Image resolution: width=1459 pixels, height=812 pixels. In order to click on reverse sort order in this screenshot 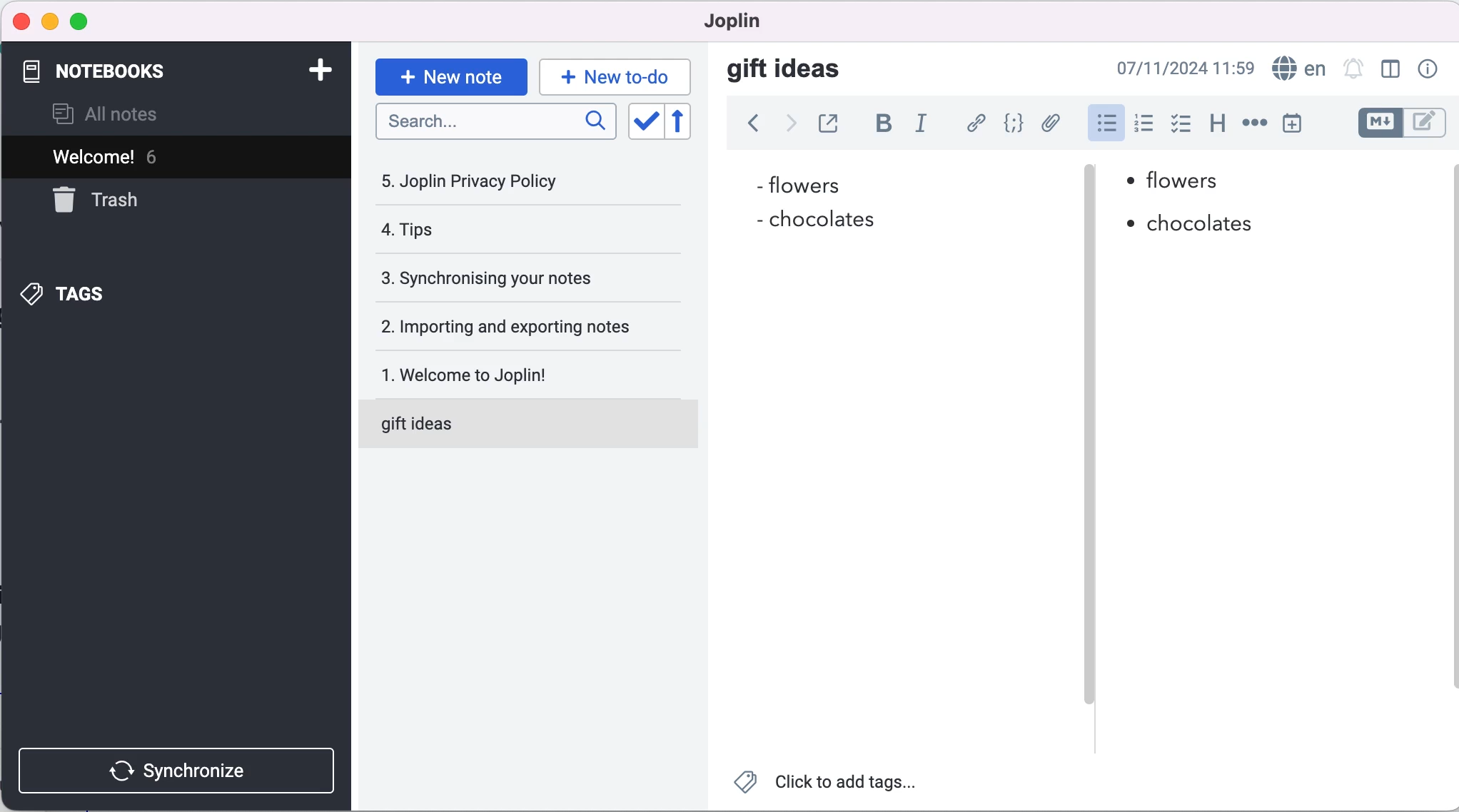, I will do `click(682, 122)`.